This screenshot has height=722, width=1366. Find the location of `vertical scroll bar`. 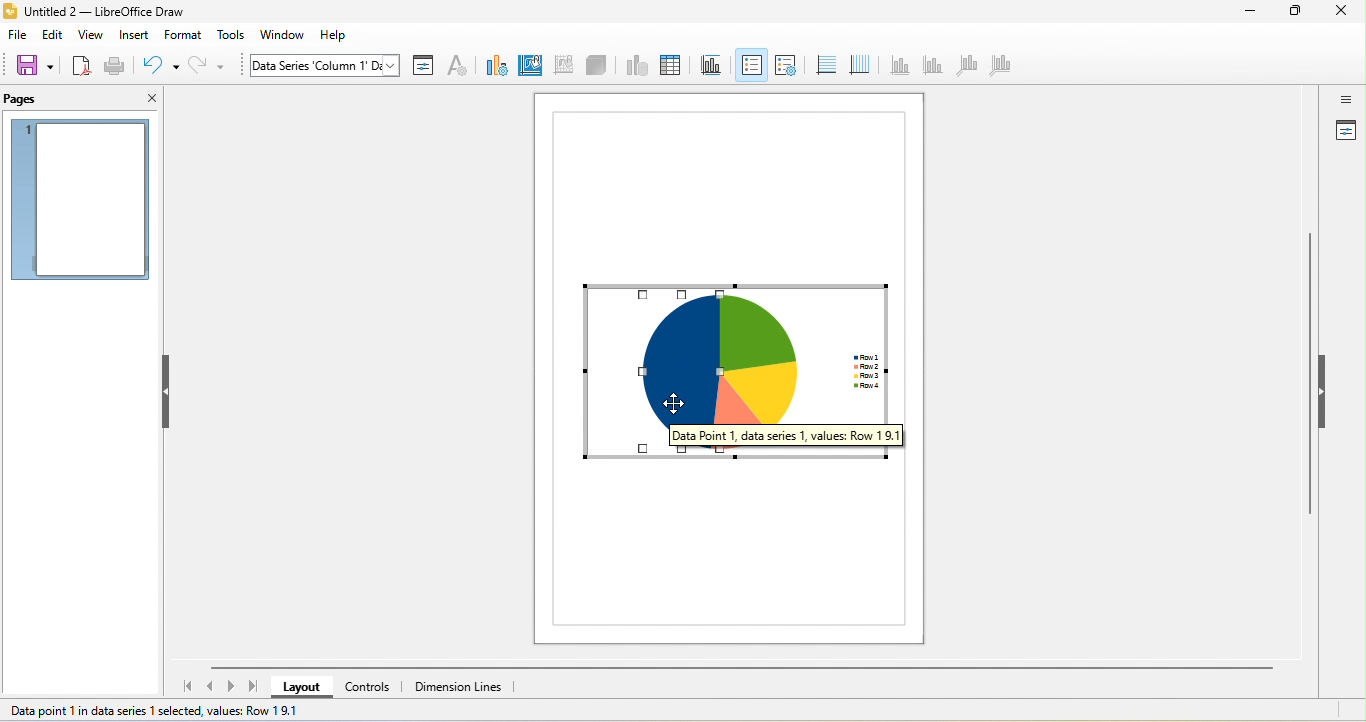

vertical scroll bar is located at coordinates (1310, 380).